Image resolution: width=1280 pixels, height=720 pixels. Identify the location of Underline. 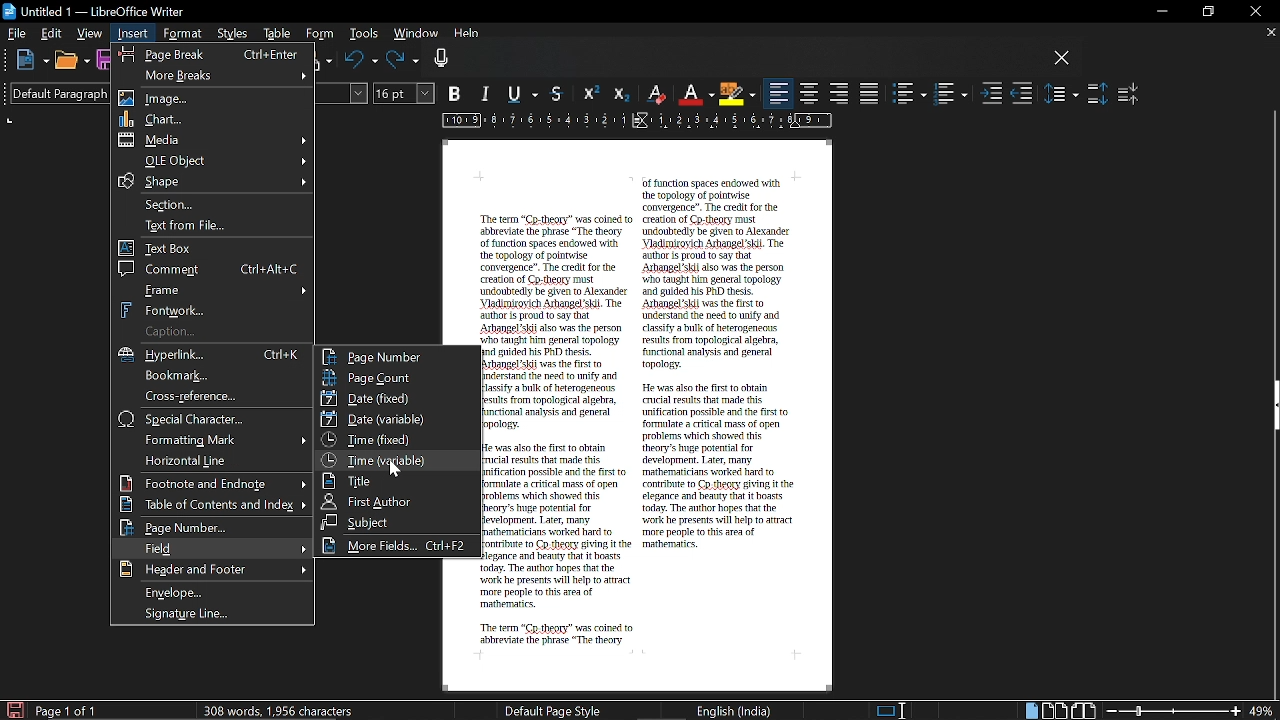
(696, 94).